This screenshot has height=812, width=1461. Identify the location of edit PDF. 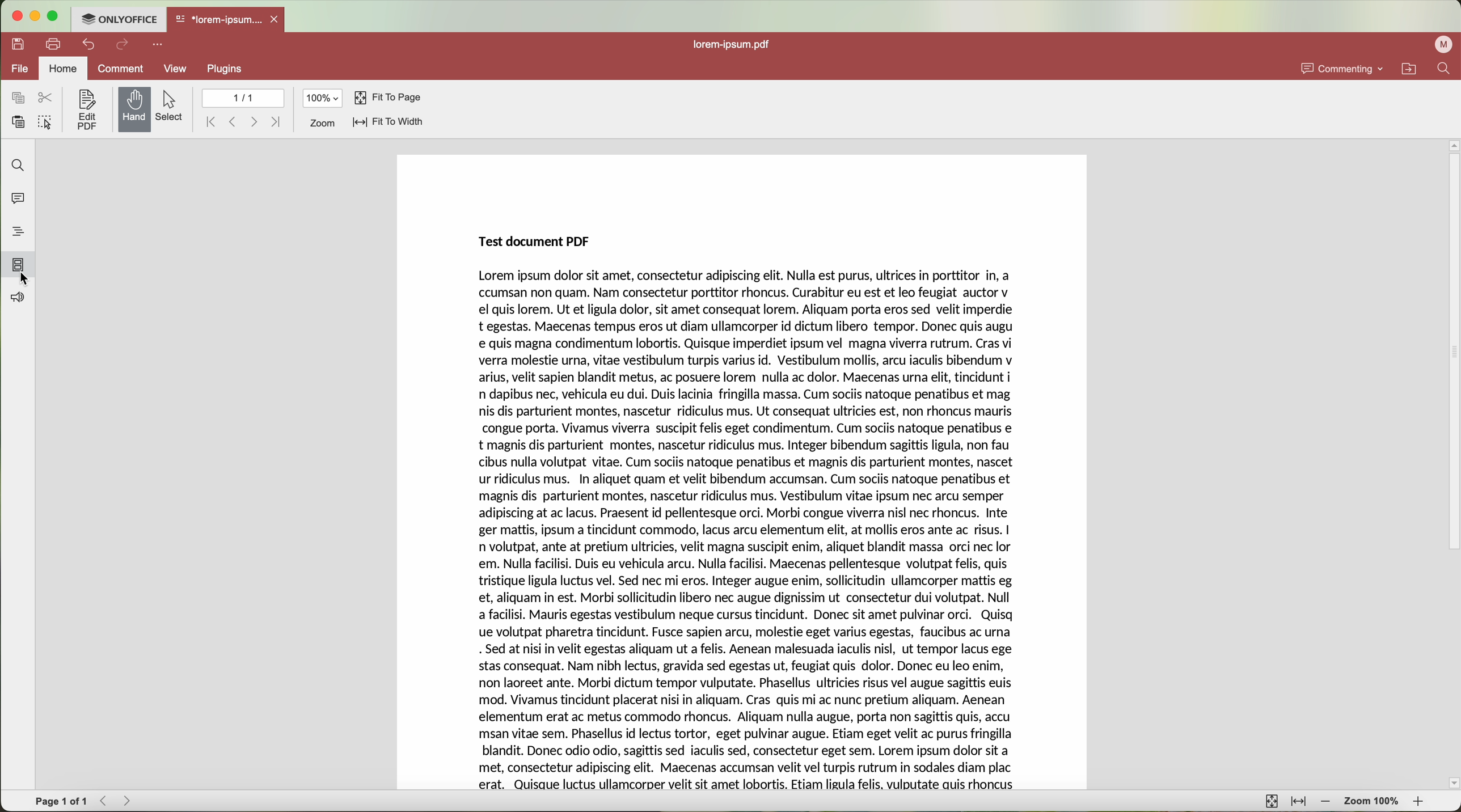
(85, 109).